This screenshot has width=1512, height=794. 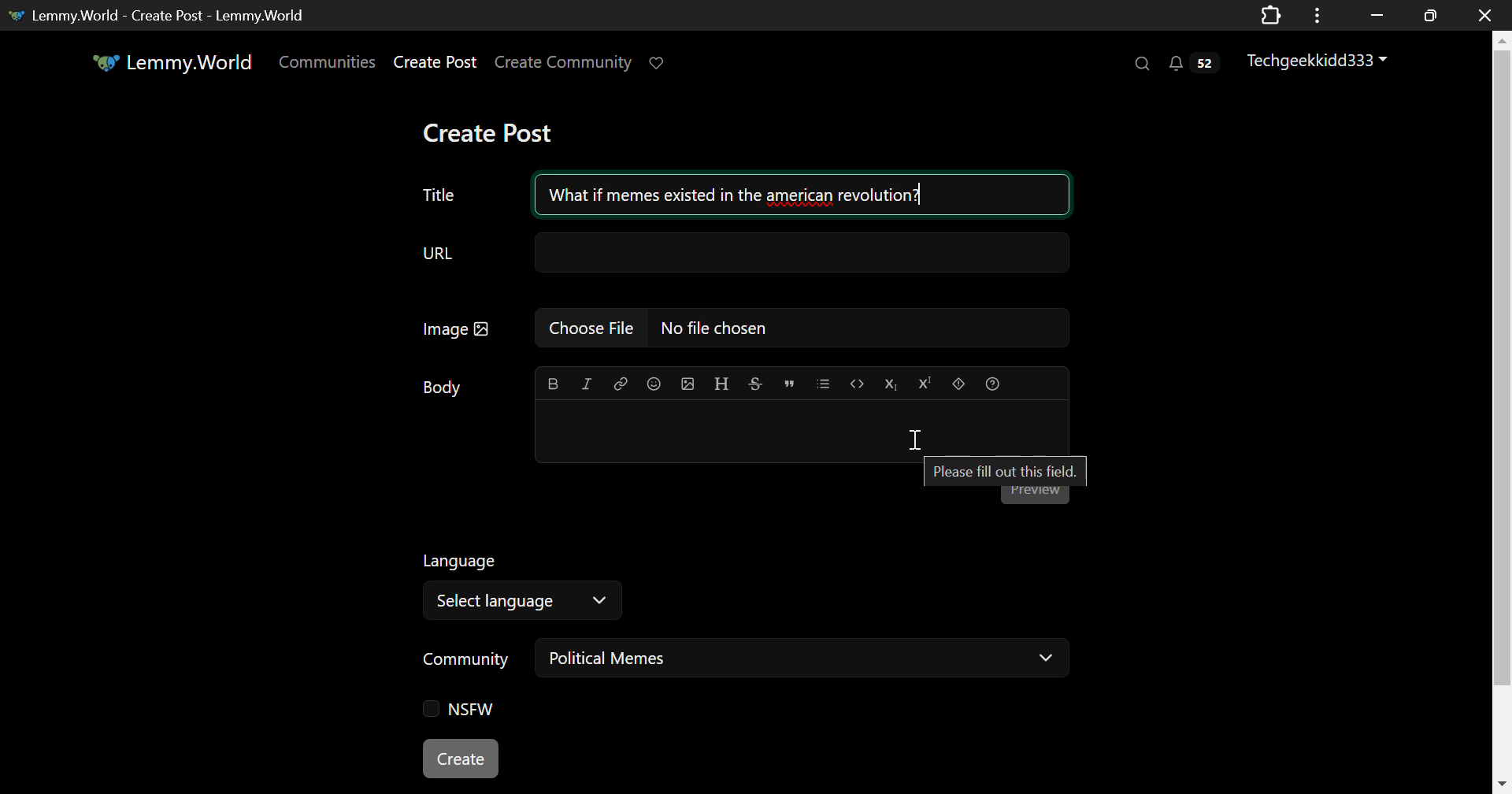 I want to click on Post Body Textbox, so click(x=804, y=425).